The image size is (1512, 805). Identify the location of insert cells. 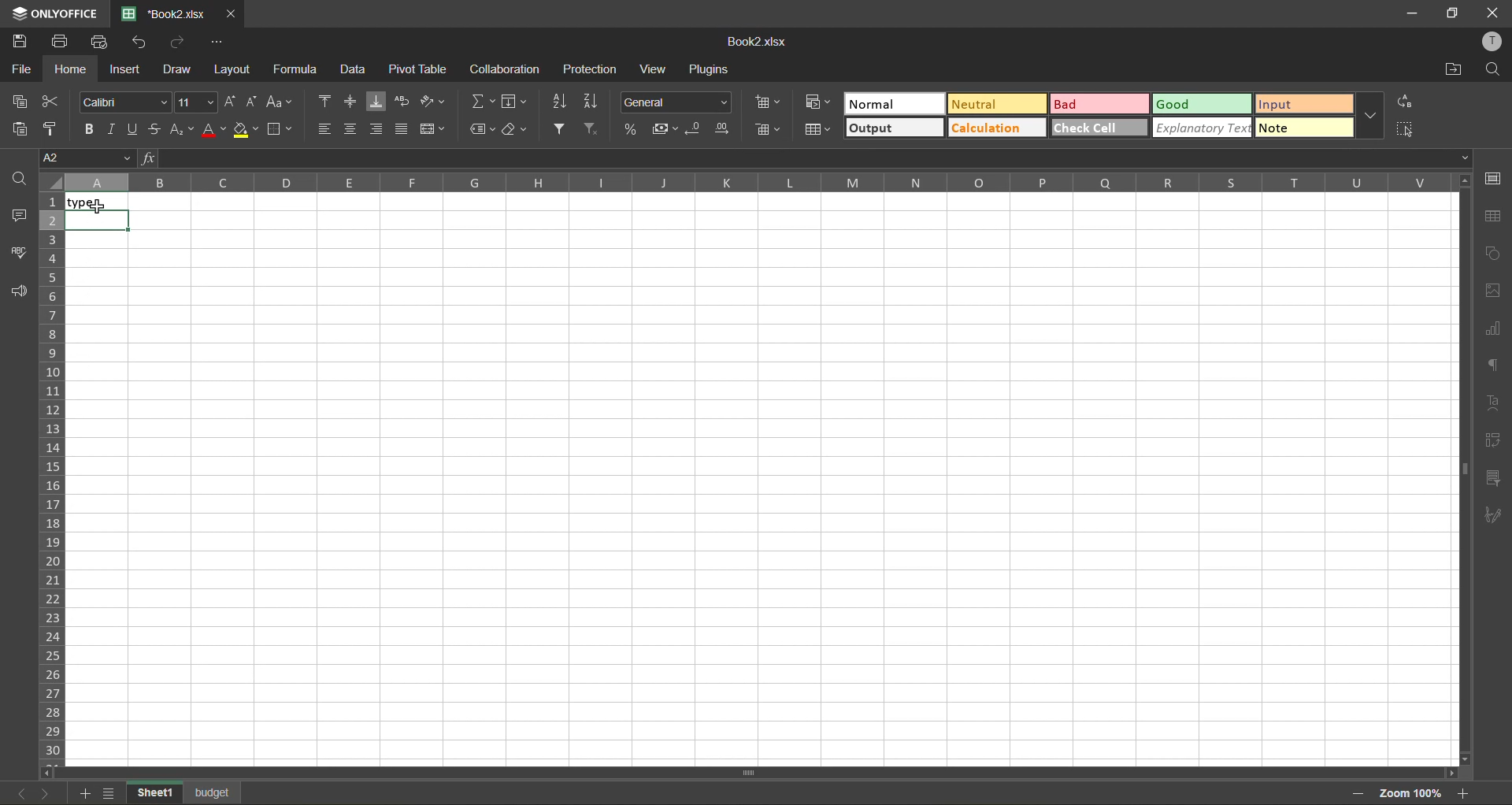
(769, 103).